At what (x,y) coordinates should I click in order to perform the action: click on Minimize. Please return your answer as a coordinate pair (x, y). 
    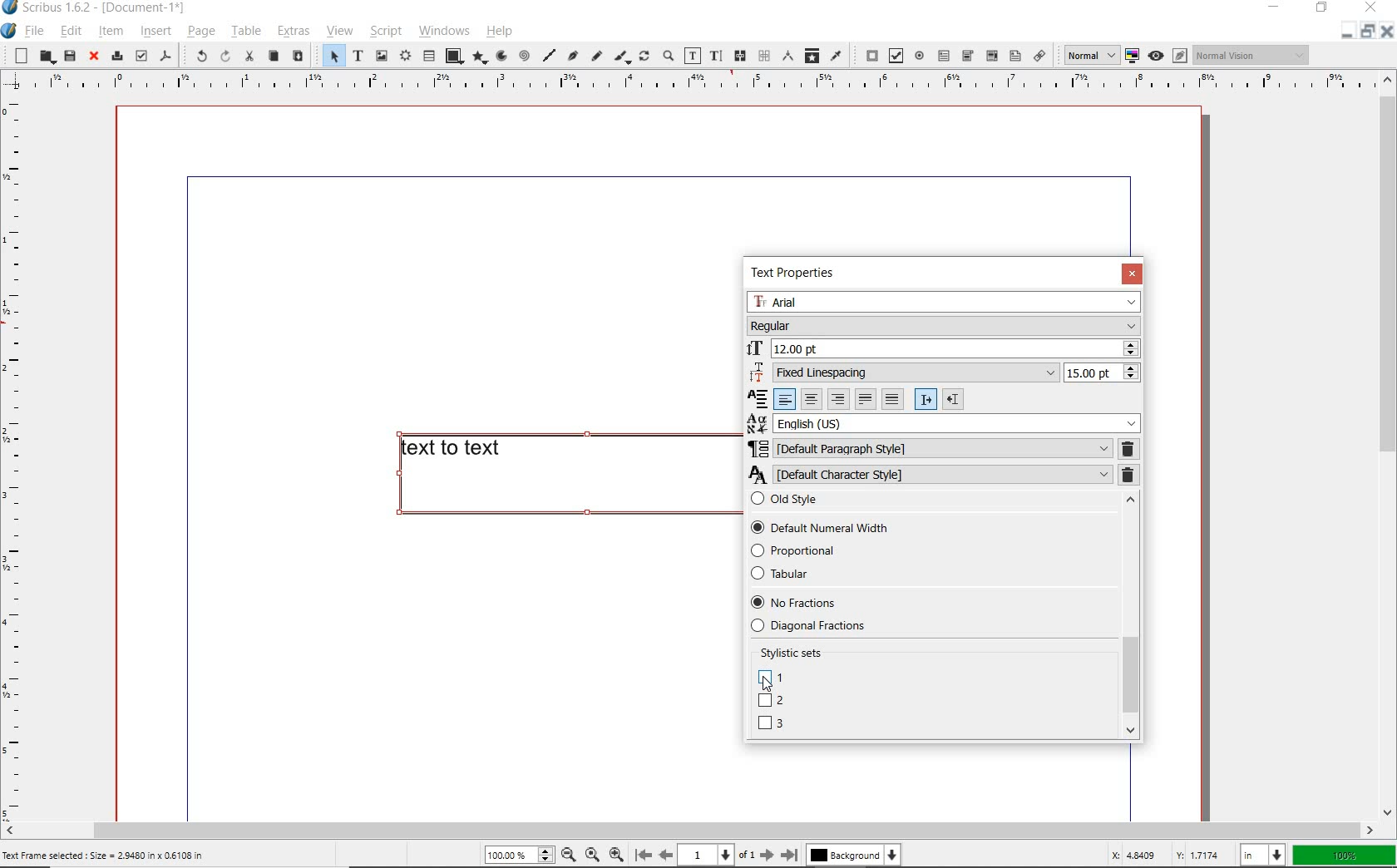
    Looking at the image, I should click on (1366, 32).